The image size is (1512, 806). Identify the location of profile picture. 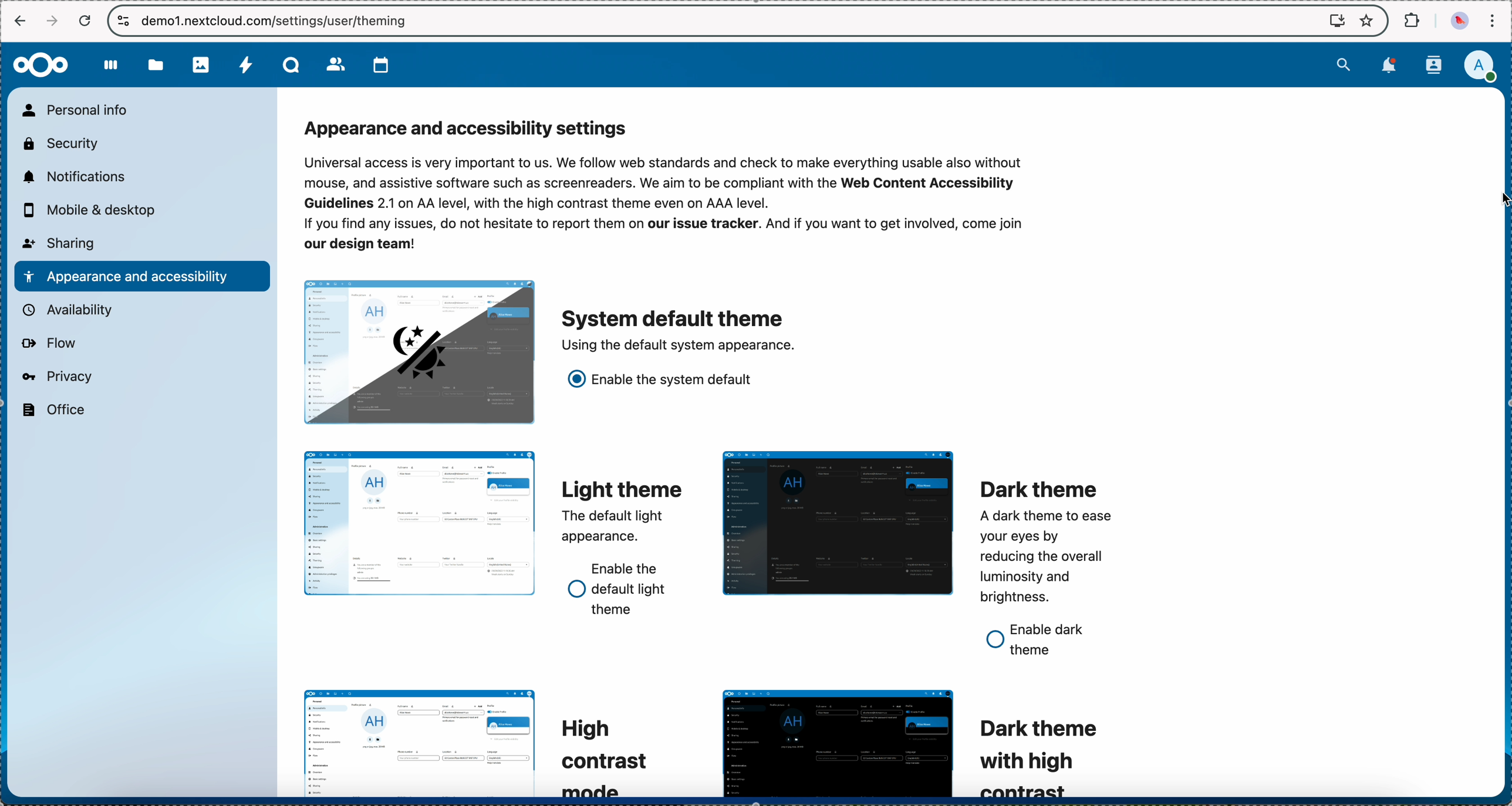
(1457, 21).